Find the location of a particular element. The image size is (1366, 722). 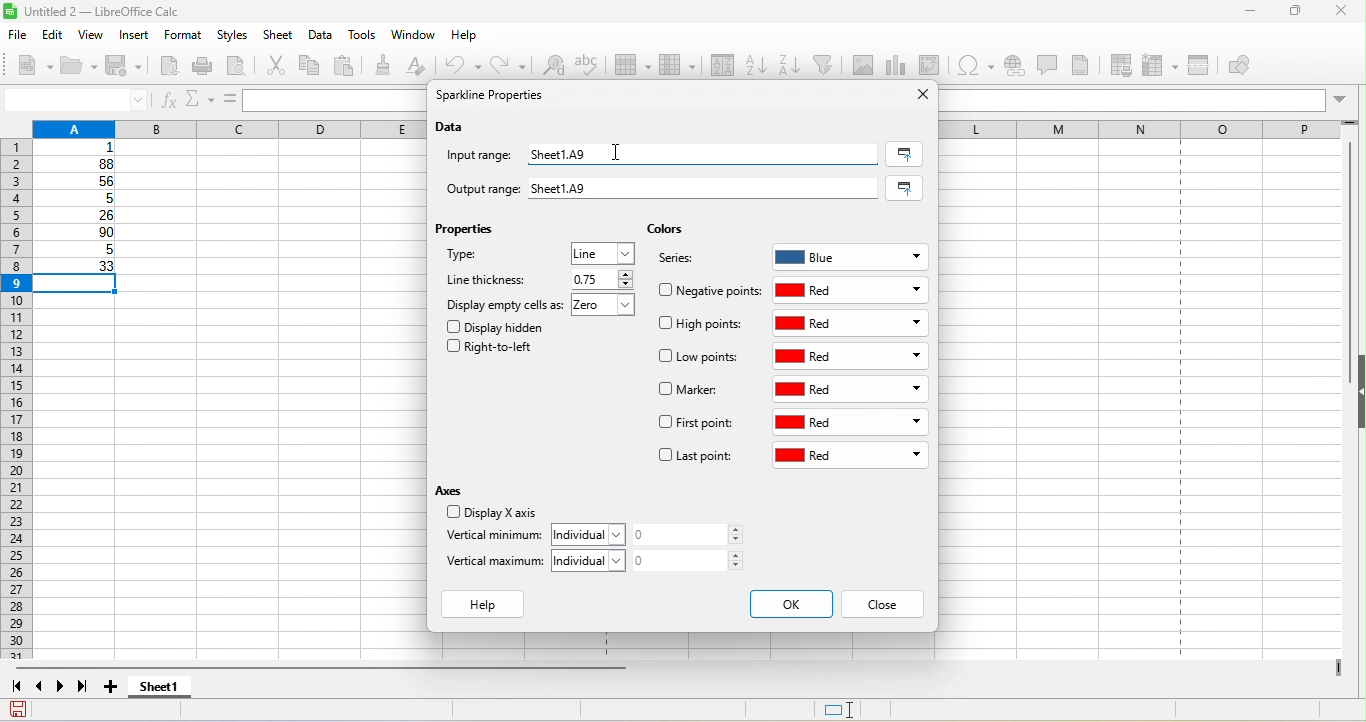

5 is located at coordinates (81, 199).